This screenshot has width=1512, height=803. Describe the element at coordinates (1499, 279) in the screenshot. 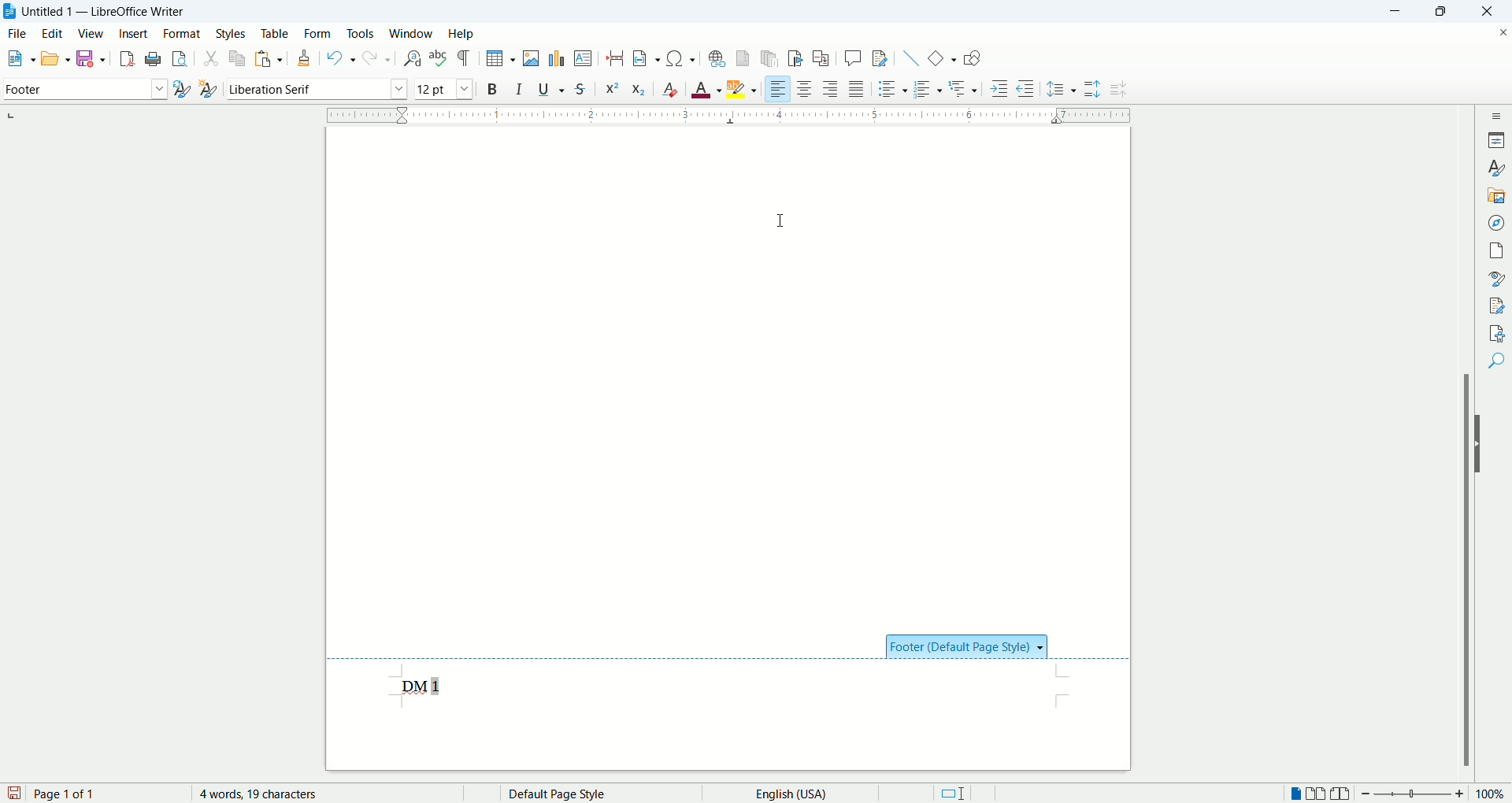

I see `style inspector` at that location.